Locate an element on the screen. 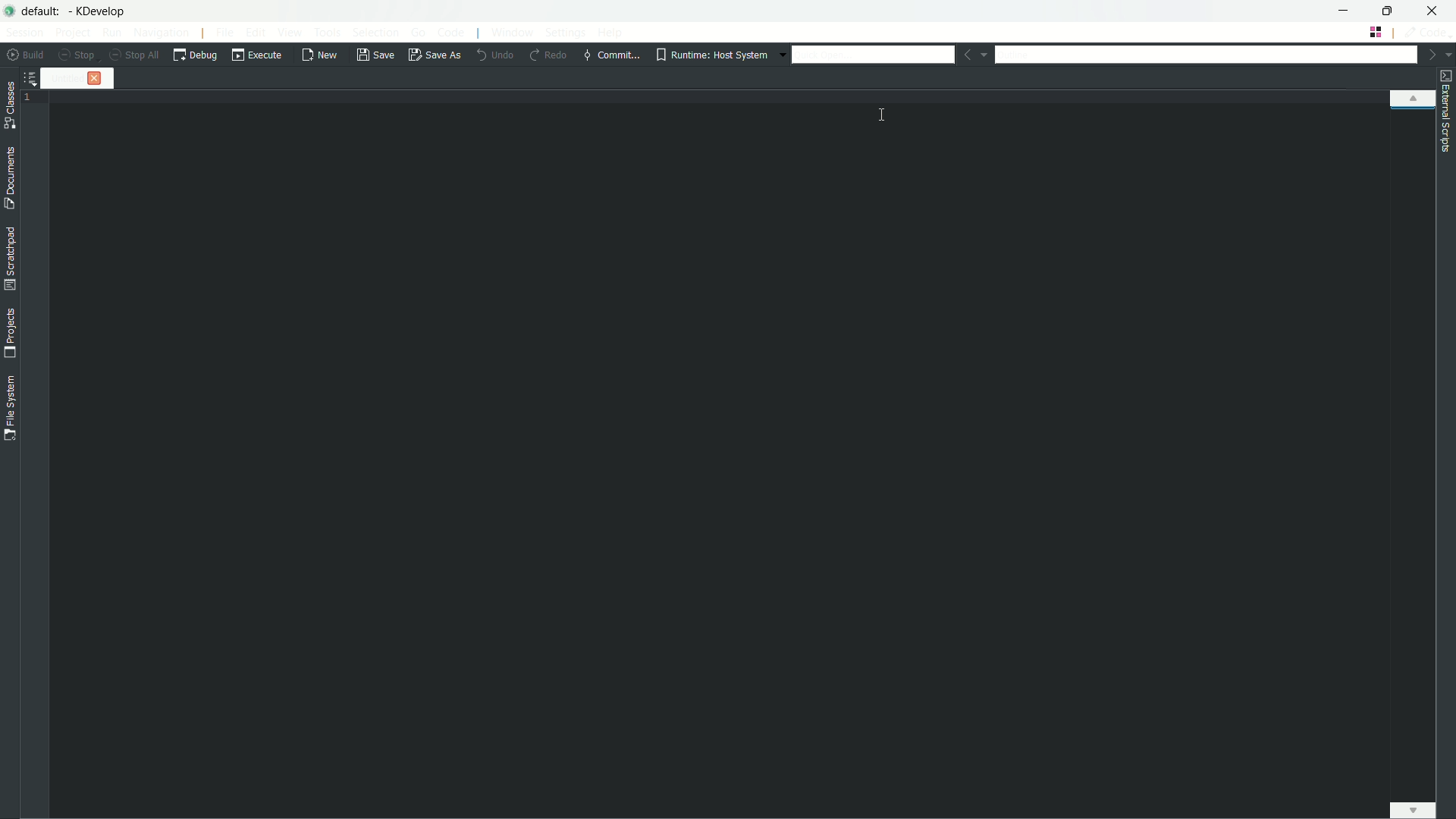 Image resolution: width=1456 pixels, height=819 pixels. session is located at coordinates (25, 32).